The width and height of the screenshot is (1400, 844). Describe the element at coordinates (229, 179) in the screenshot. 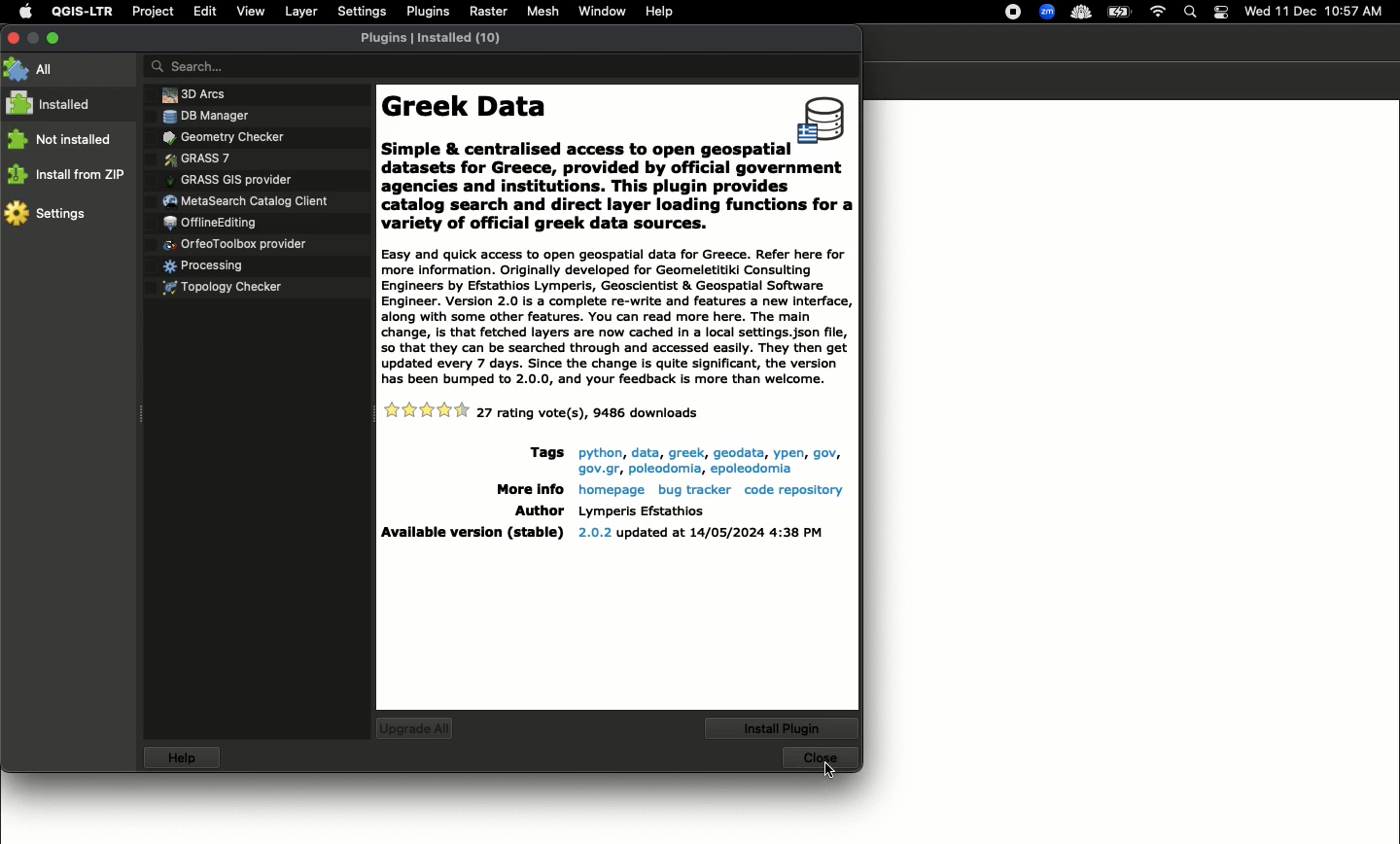

I see `GRASS GIS provider` at that location.